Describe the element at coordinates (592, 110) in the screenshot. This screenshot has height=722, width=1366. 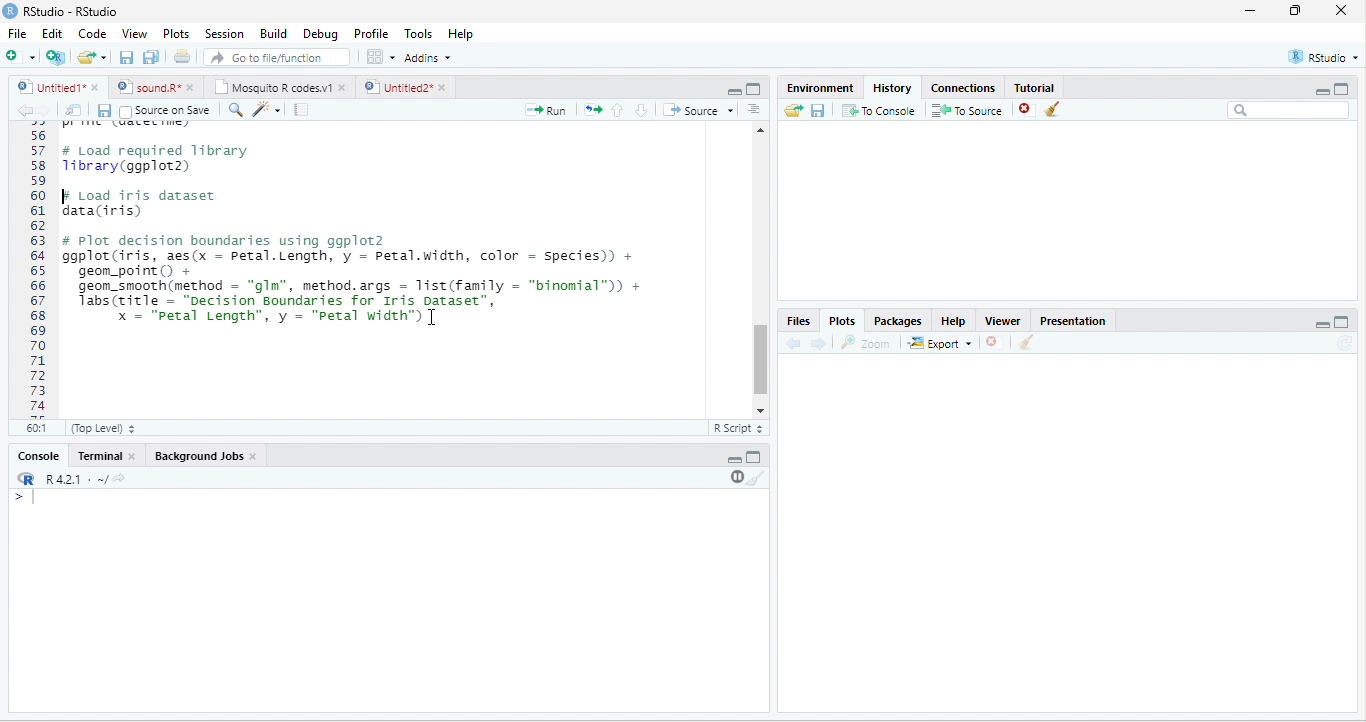
I see `rerun` at that location.